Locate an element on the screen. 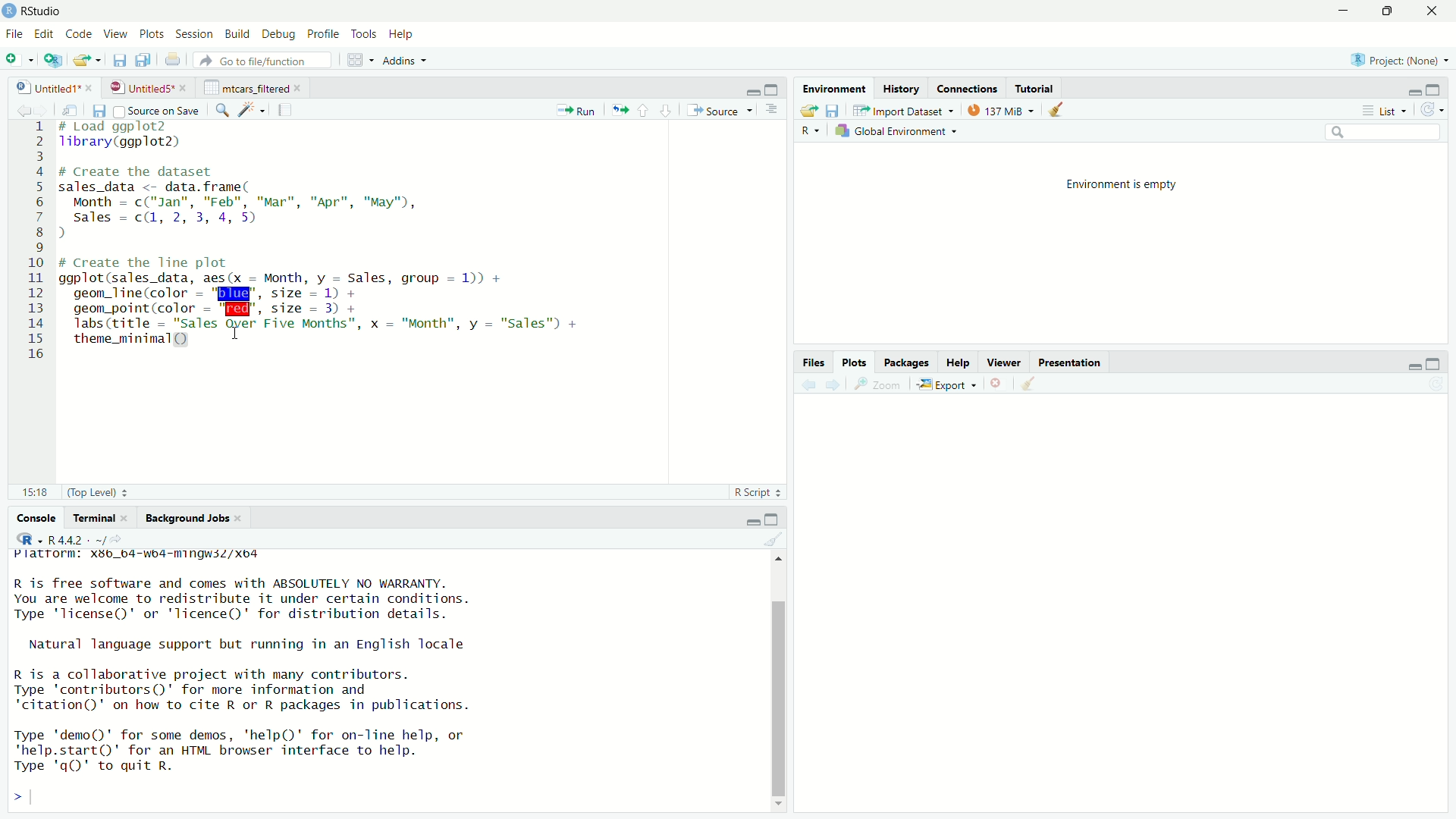 Image resolution: width=1456 pixels, height=819 pixels. maximize is located at coordinates (1393, 11).